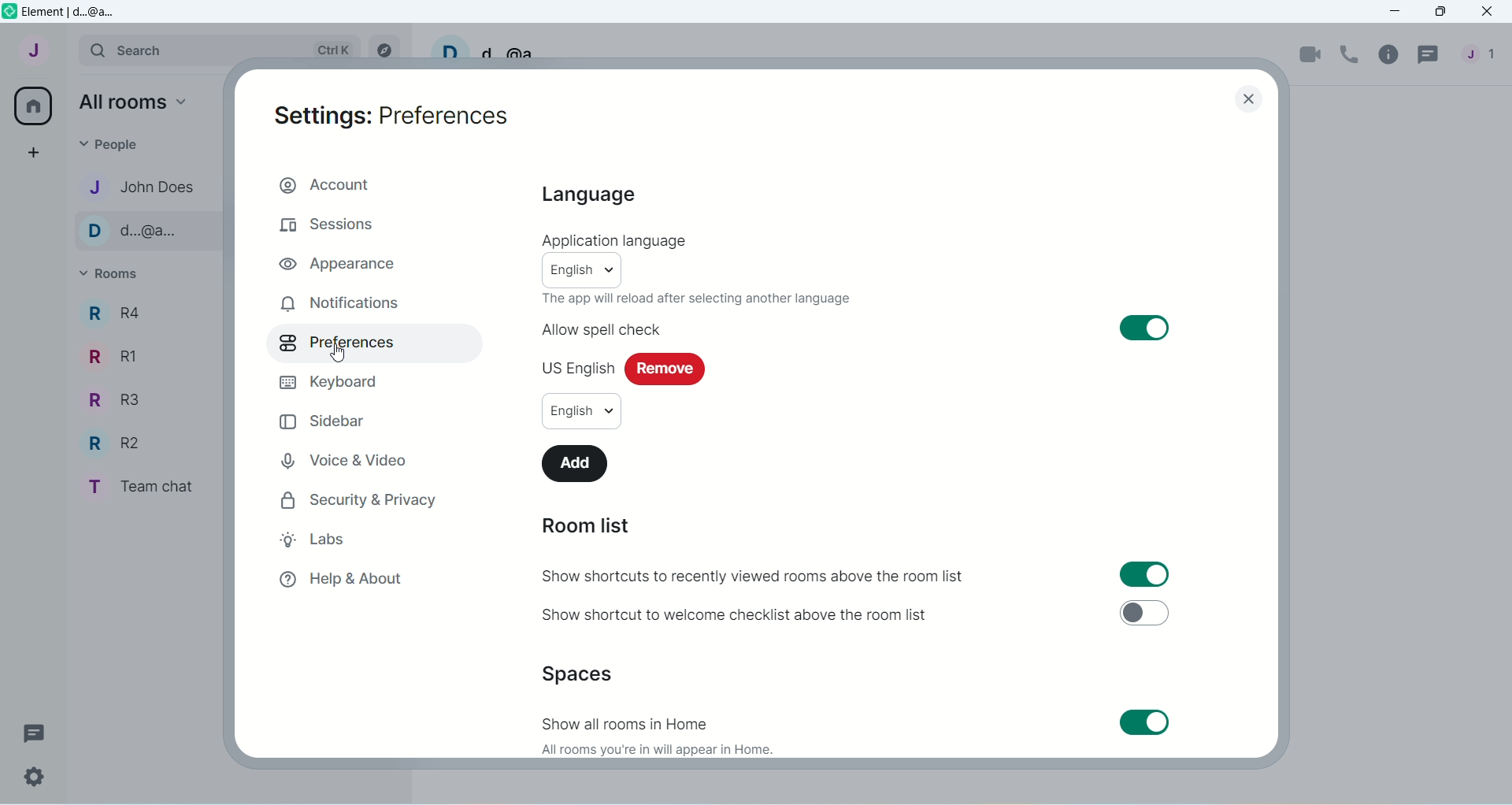 Image resolution: width=1512 pixels, height=805 pixels. What do you see at coordinates (339, 354) in the screenshot?
I see `cursor movement` at bounding box center [339, 354].